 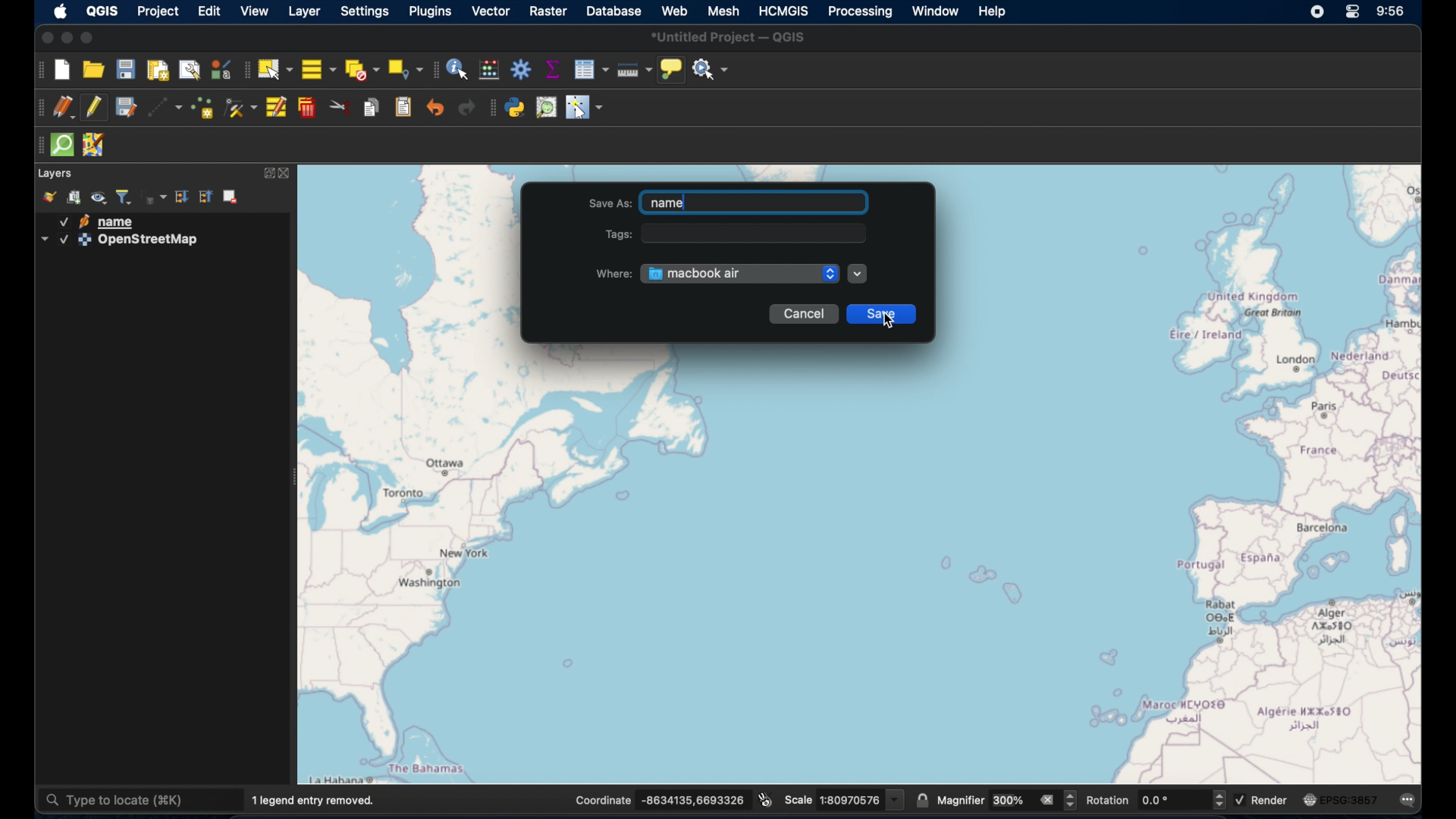 I want to click on open attribute table, so click(x=591, y=70).